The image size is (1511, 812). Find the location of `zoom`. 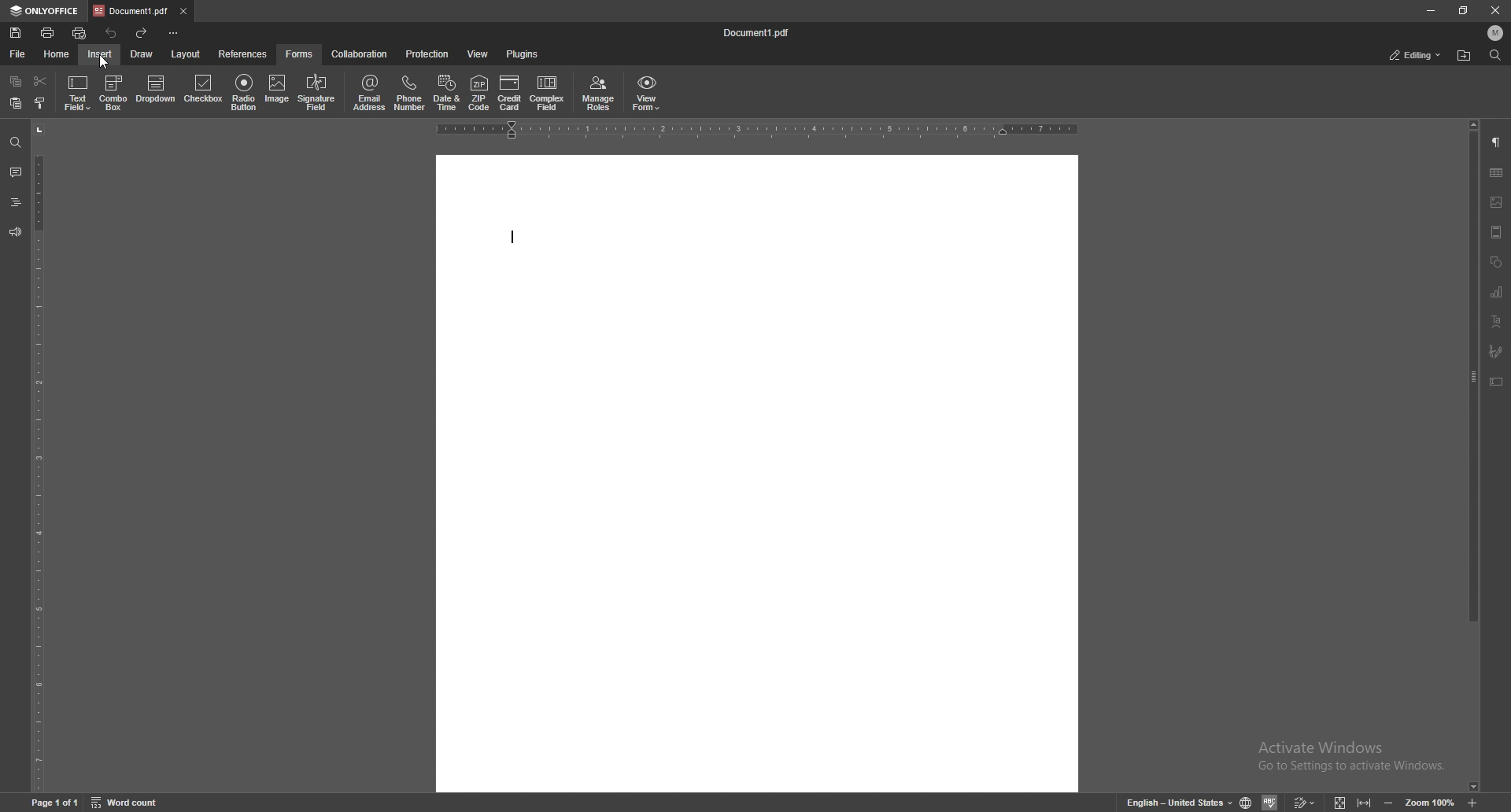

zoom is located at coordinates (1430, 801).